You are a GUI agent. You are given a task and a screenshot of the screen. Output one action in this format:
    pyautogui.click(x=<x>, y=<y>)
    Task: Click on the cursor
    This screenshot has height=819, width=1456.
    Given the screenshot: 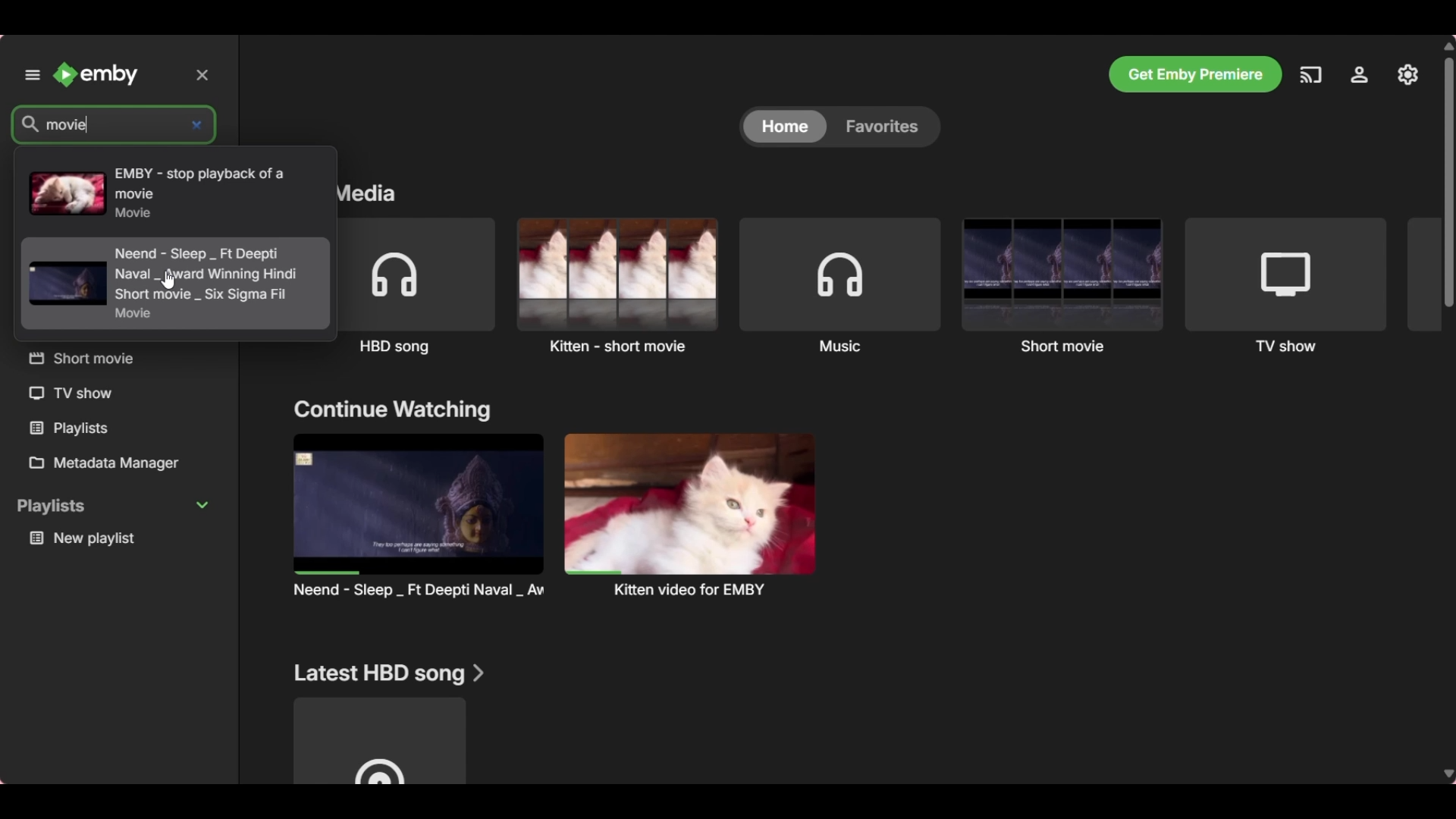 What is the action you would take?
    pyautogui.click(x=168, y=282)
    